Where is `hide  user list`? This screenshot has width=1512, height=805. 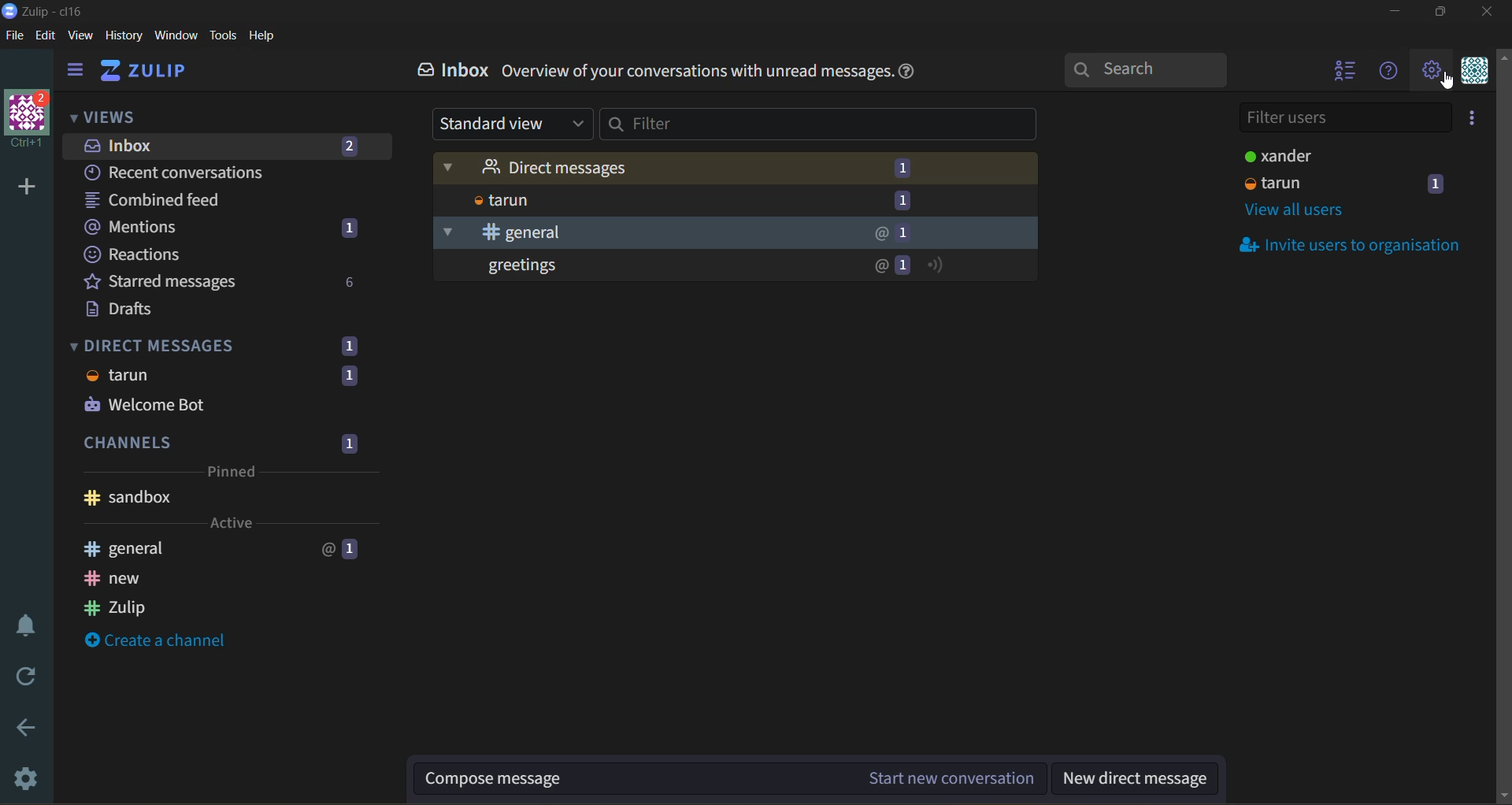
hide  user list is located at coordinates (1343, 69).